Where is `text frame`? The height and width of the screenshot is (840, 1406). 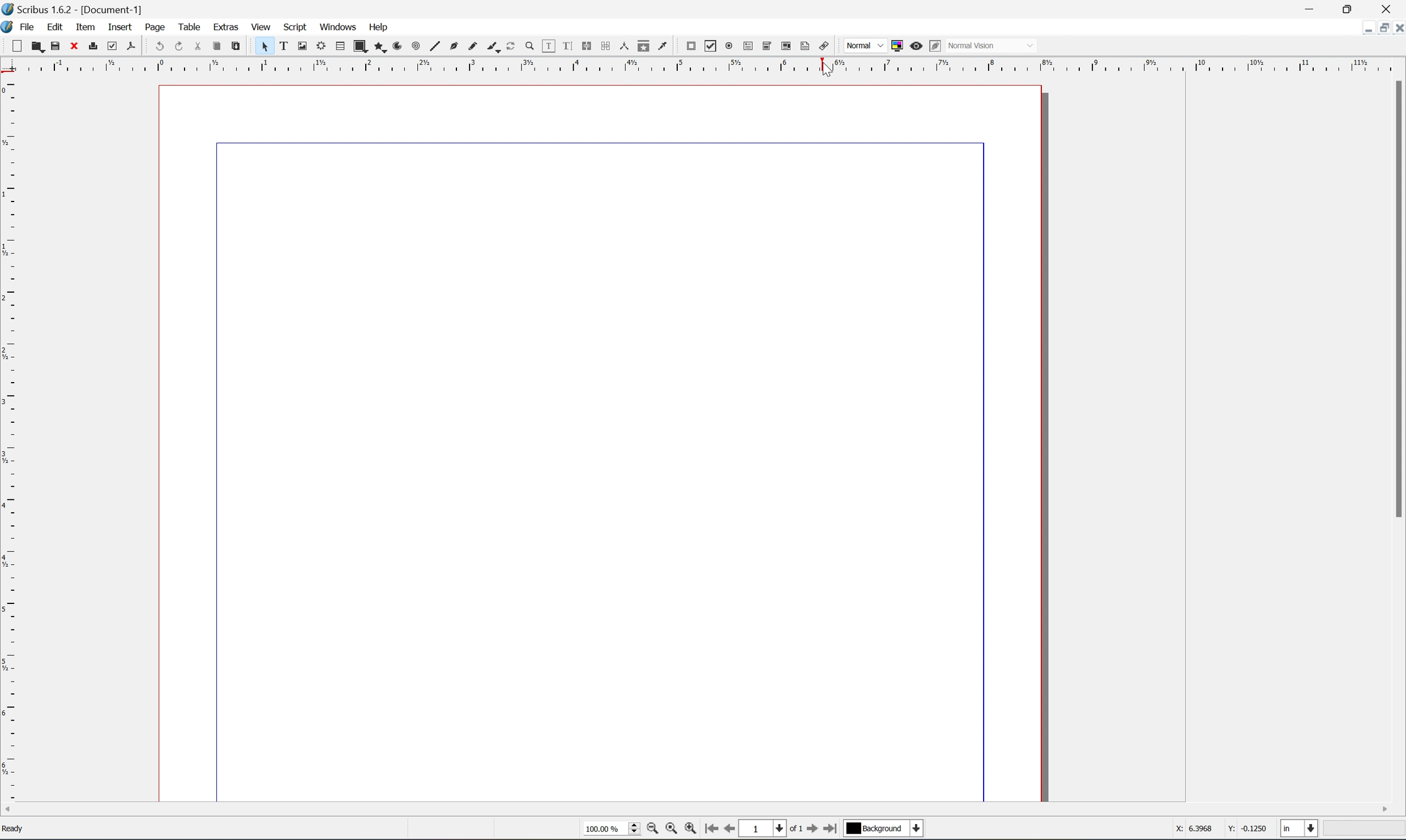
text frame is located at coordinates (283, 46).